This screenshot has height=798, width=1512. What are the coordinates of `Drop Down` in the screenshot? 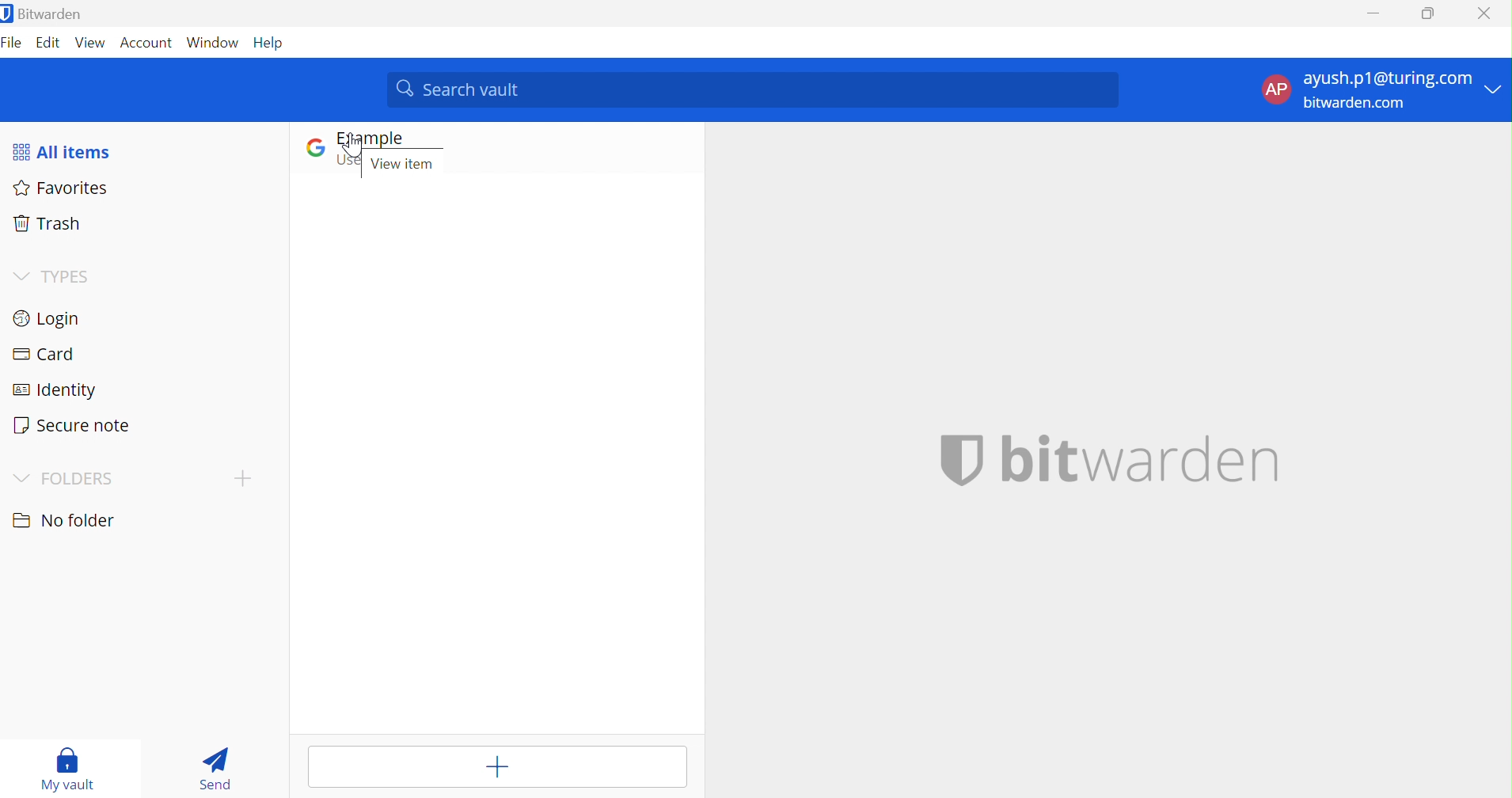 It's located at (18, 475).